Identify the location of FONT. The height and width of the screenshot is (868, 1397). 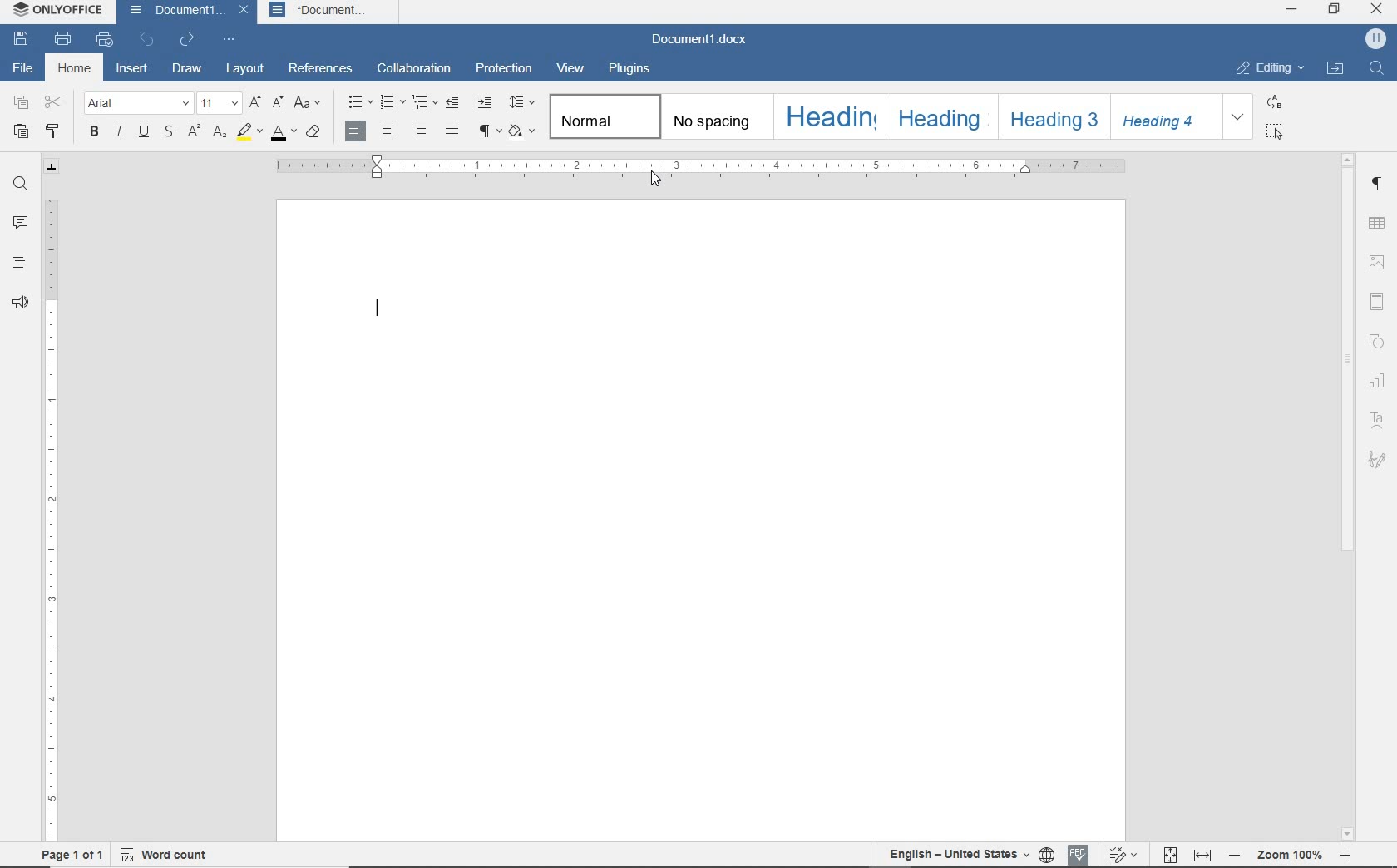
(138, 104).